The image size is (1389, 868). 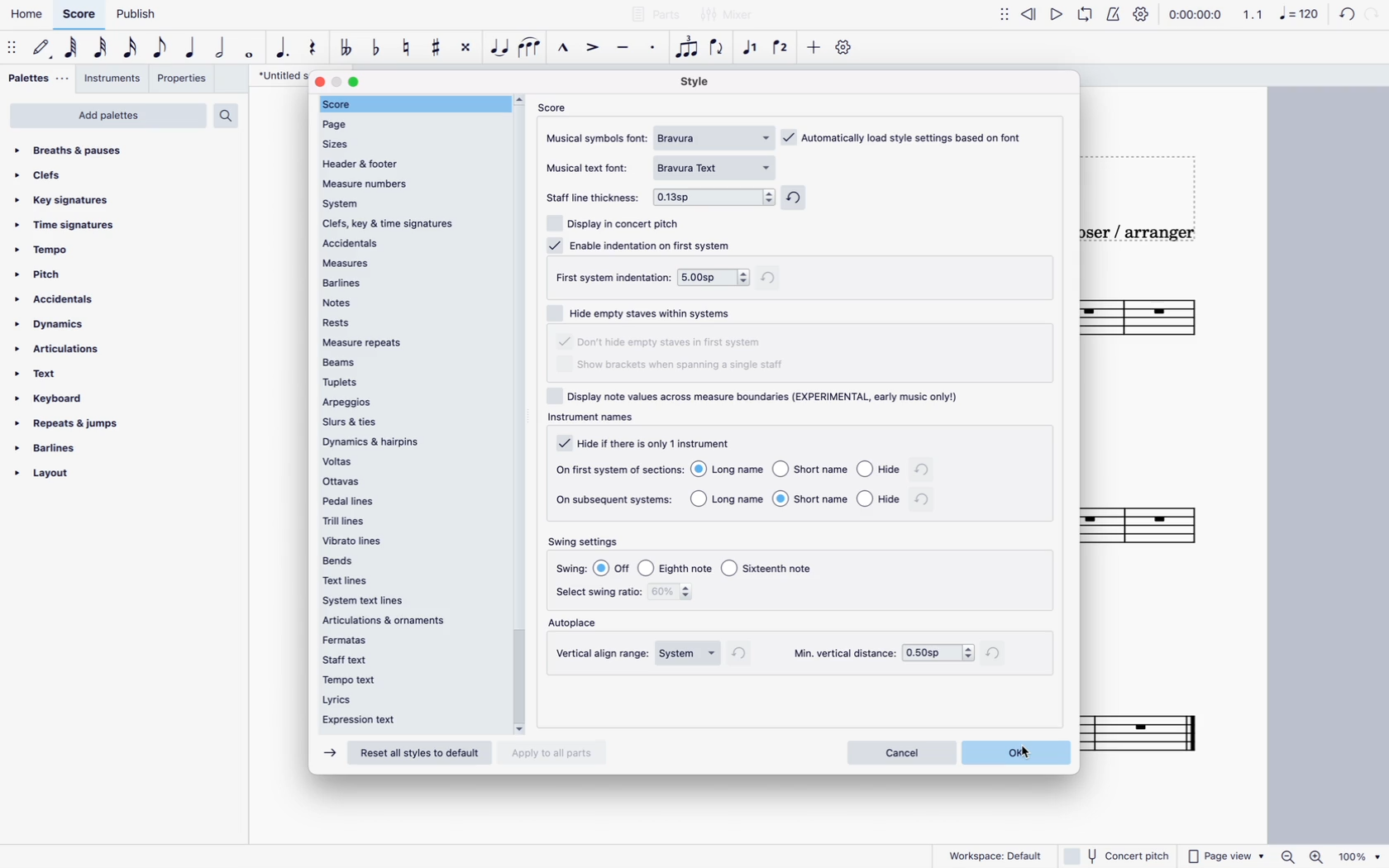 I want to click on tuplets, so click(x=413, y=382).